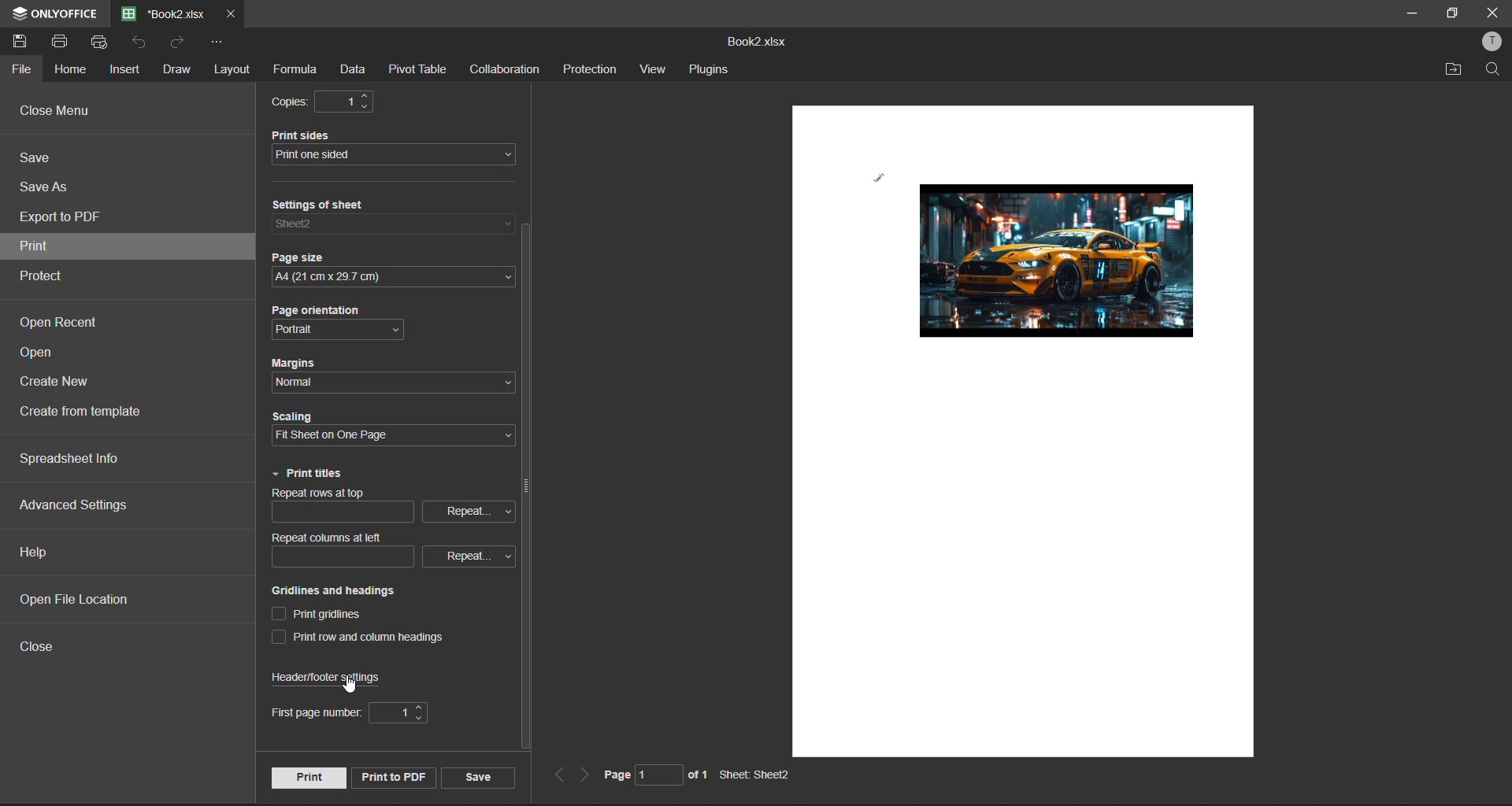 The width and height of the screenshot is (1512, 806). What do you see at coordinates (354, 685) in the screenshot?
I see `cursor` at bounding box center [354, 685].